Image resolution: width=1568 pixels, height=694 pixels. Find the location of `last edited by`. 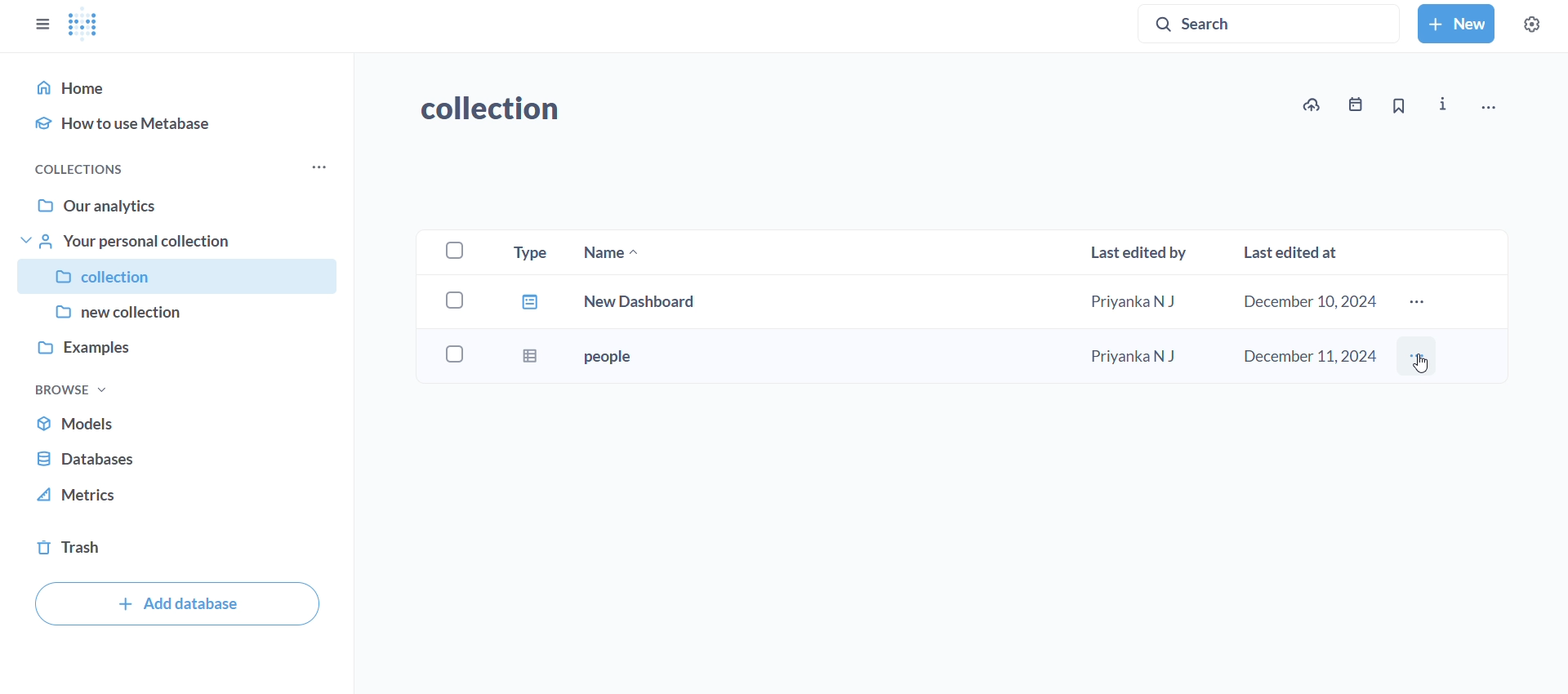

last edited by is located at coordinates (1142, 255).